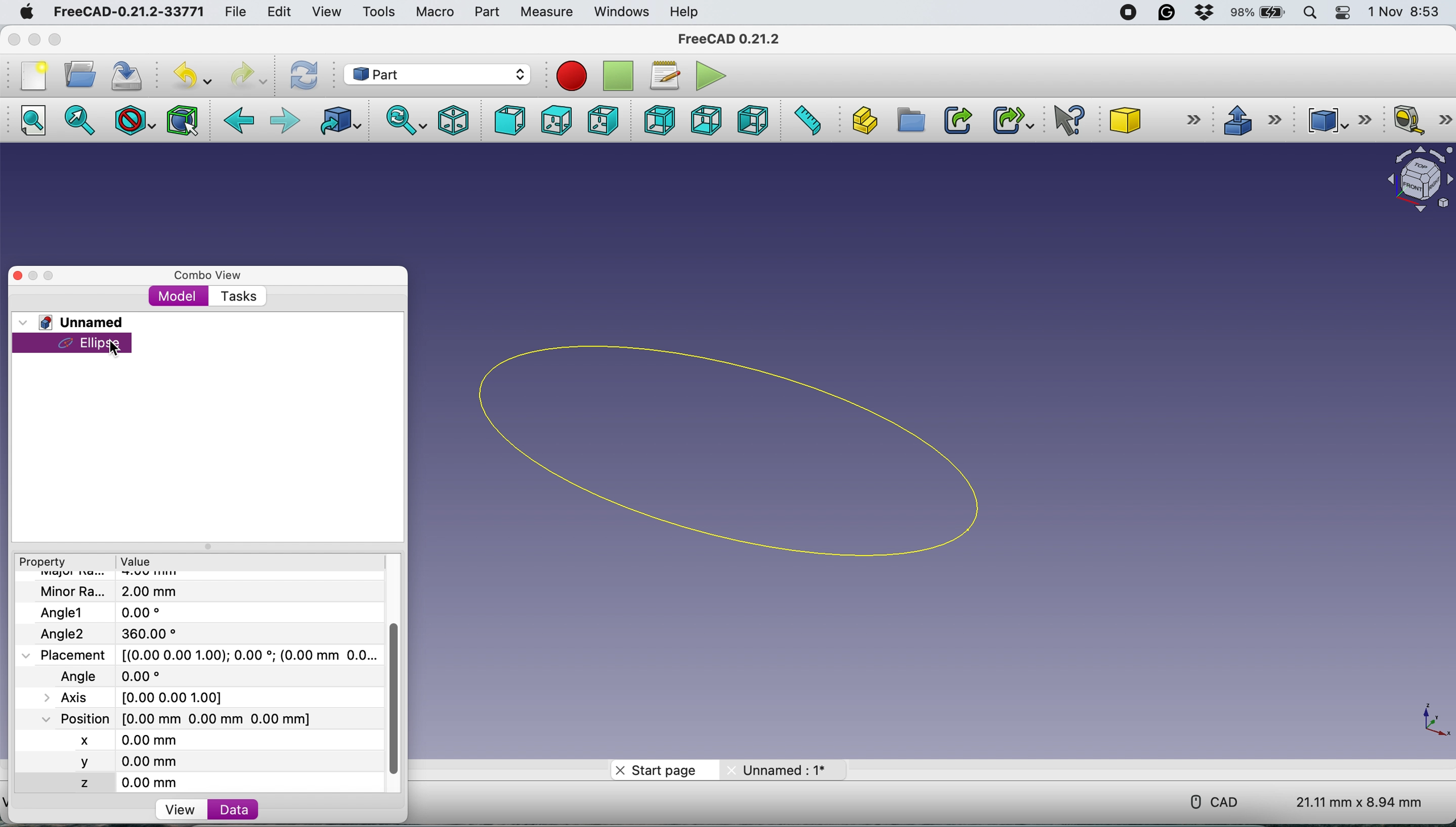  I want to click on sync view, so click(406, 120).